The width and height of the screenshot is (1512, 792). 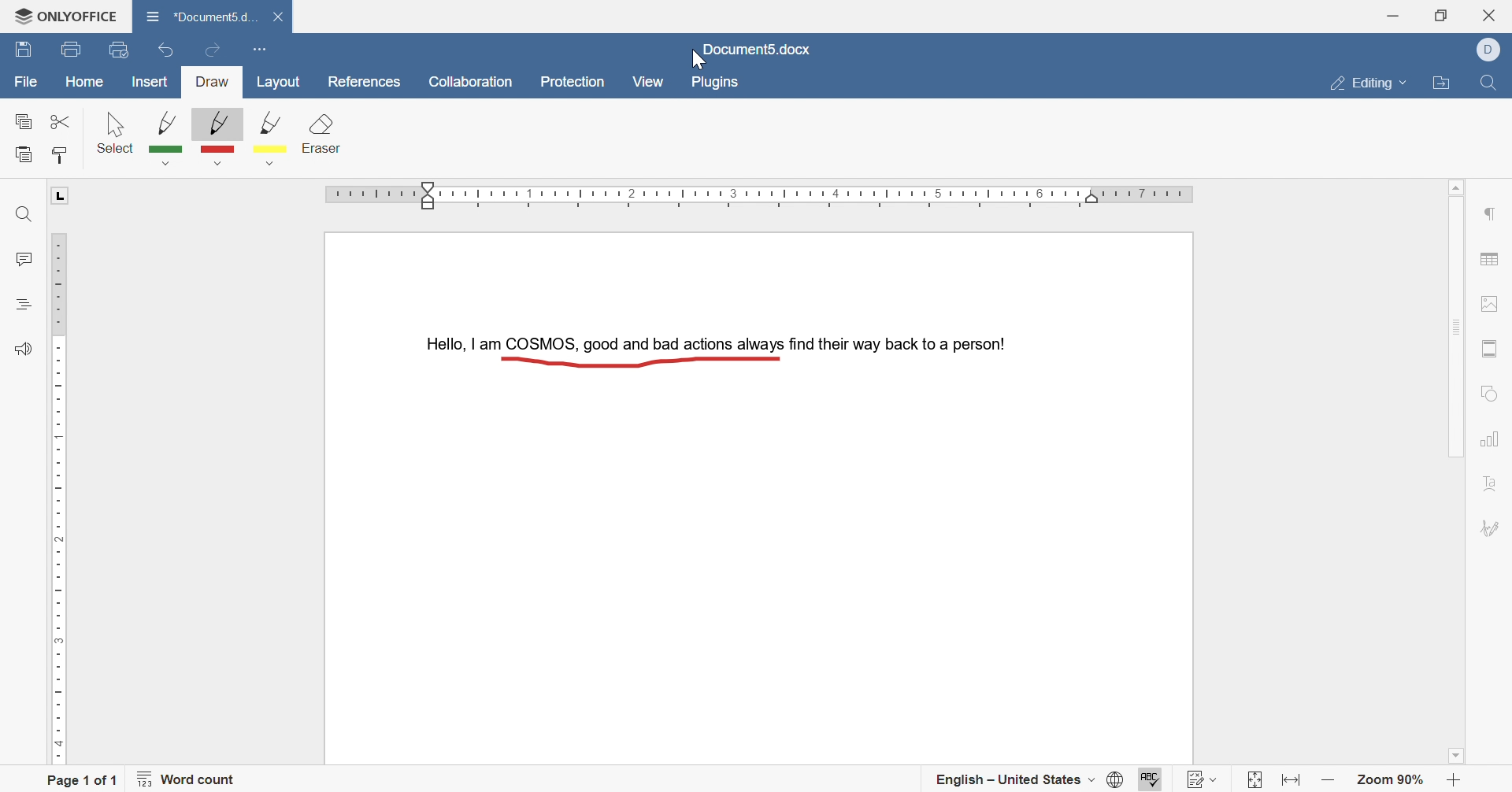 I want to click on copy style, so click(x=62, y=154).